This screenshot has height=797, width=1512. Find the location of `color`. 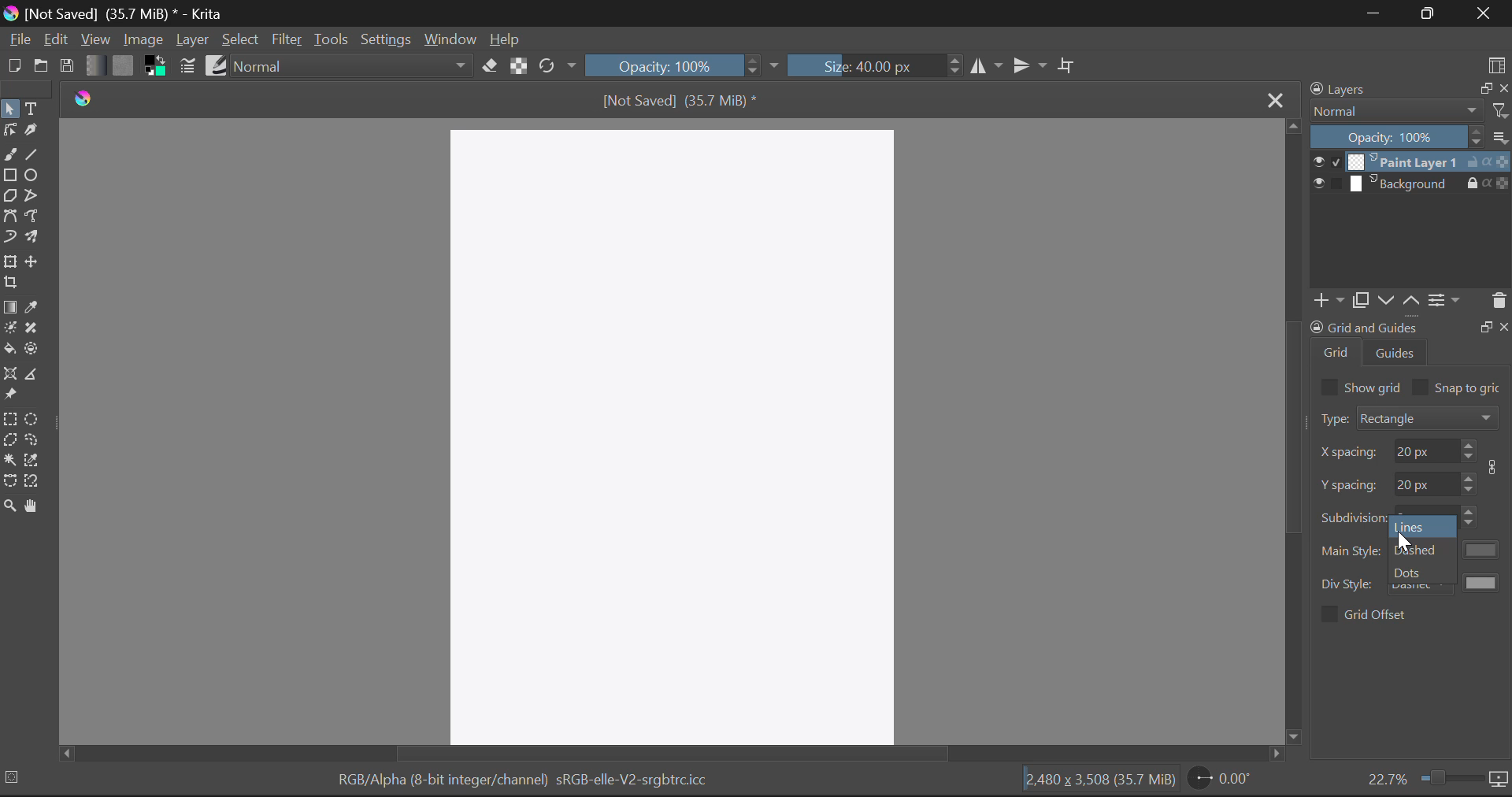

color is located at coordinates (1483, 582).